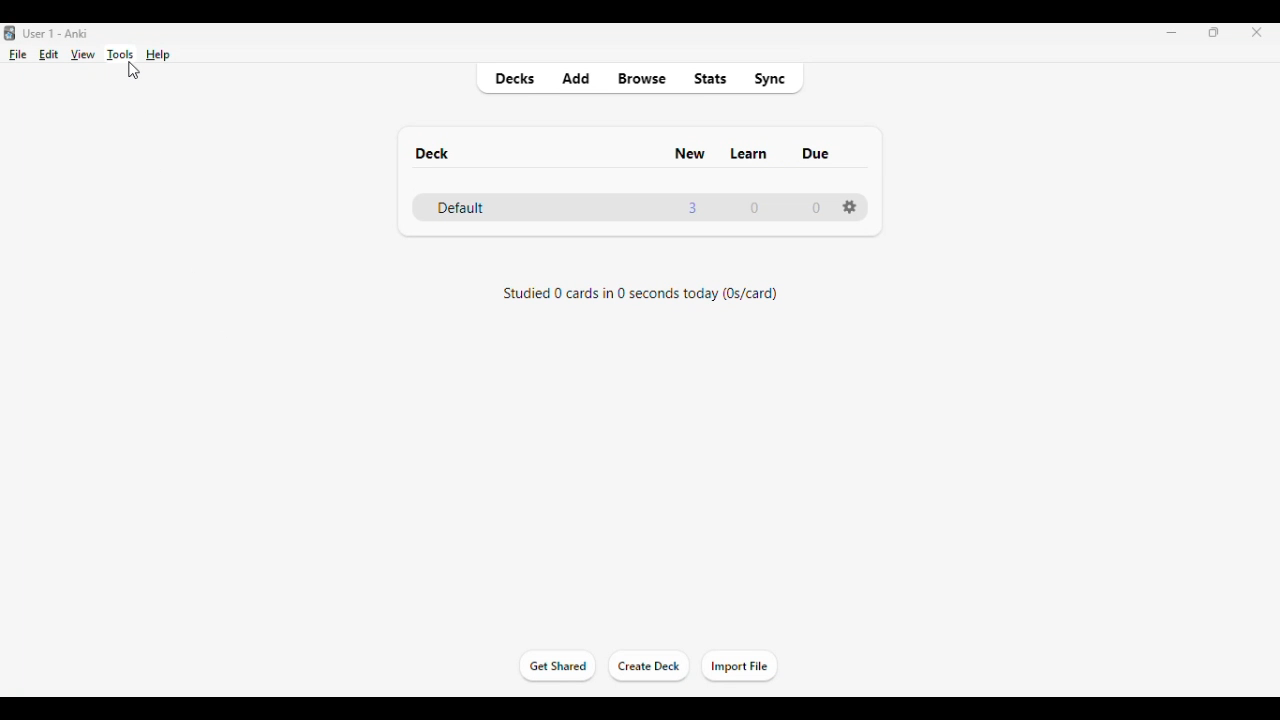 This screenshot has width=1280, height=720. Describe the element at coordinates (1214, 32) in the screenshot. I see `maximize` at that location.